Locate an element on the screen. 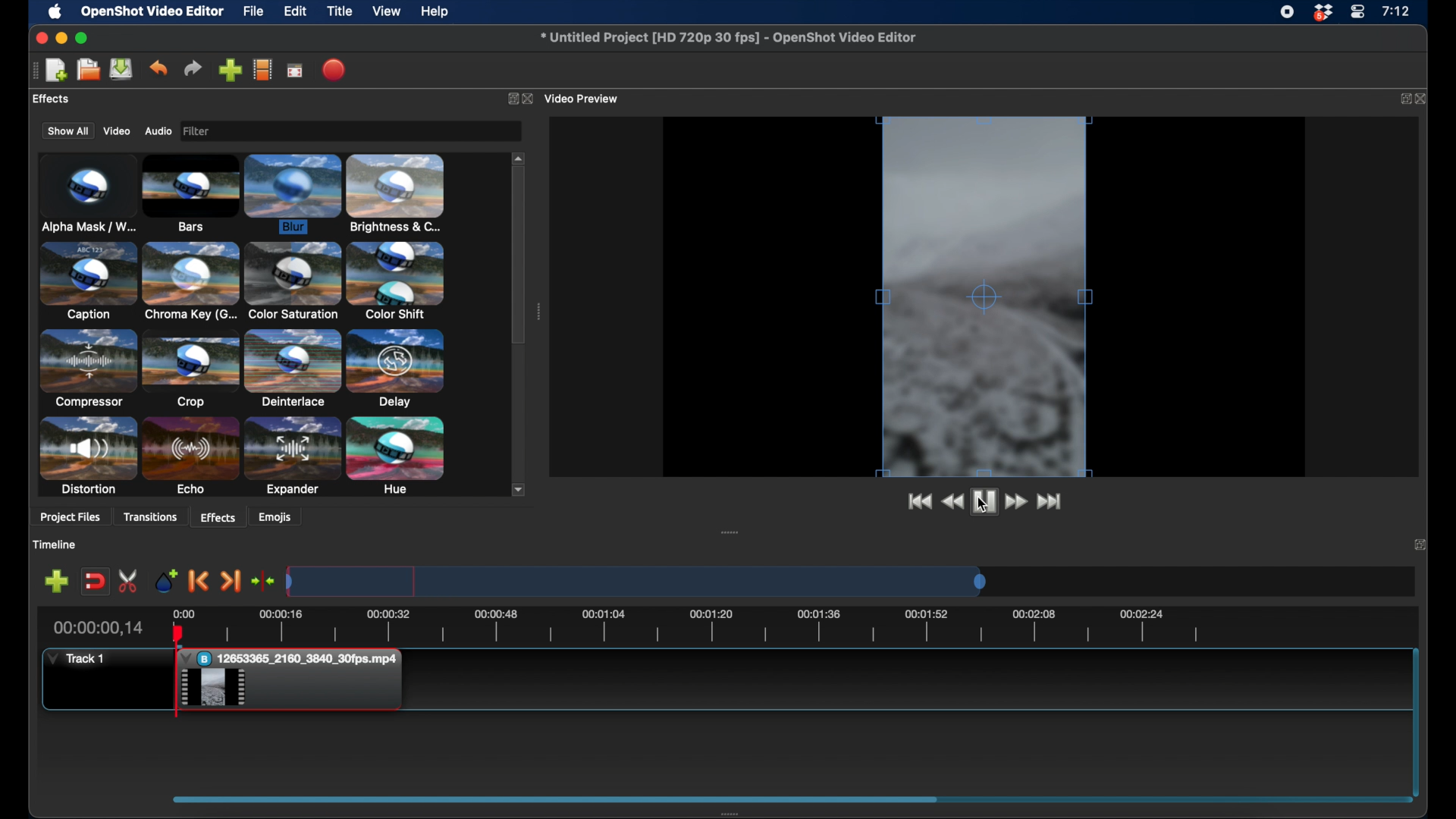 Image resolution: width=1456 pixels, height=819 pixels. close is located at coordinates (1425, 99).